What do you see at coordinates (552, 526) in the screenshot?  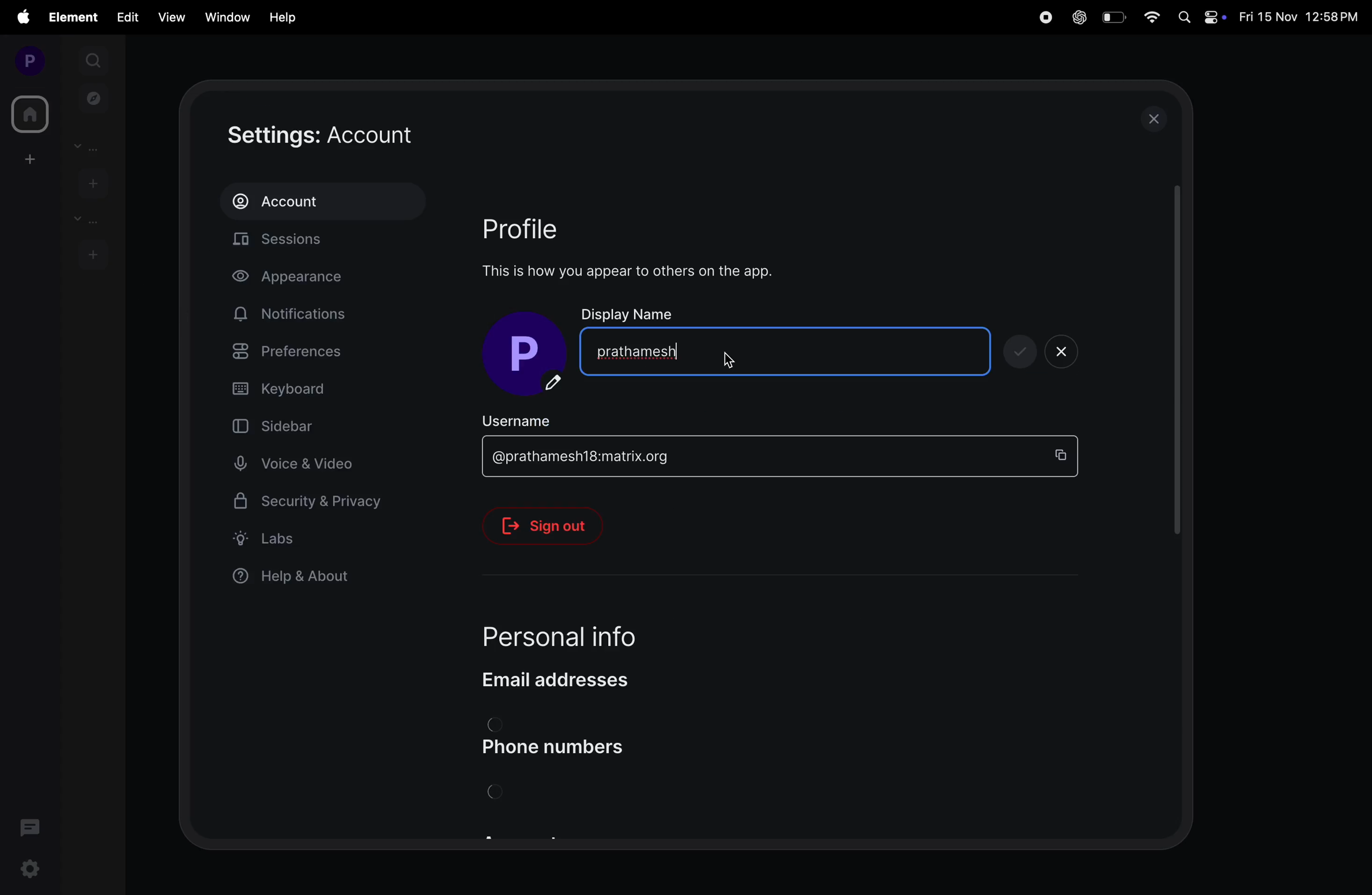 I see `sign out` at bounding box center [552, 526].